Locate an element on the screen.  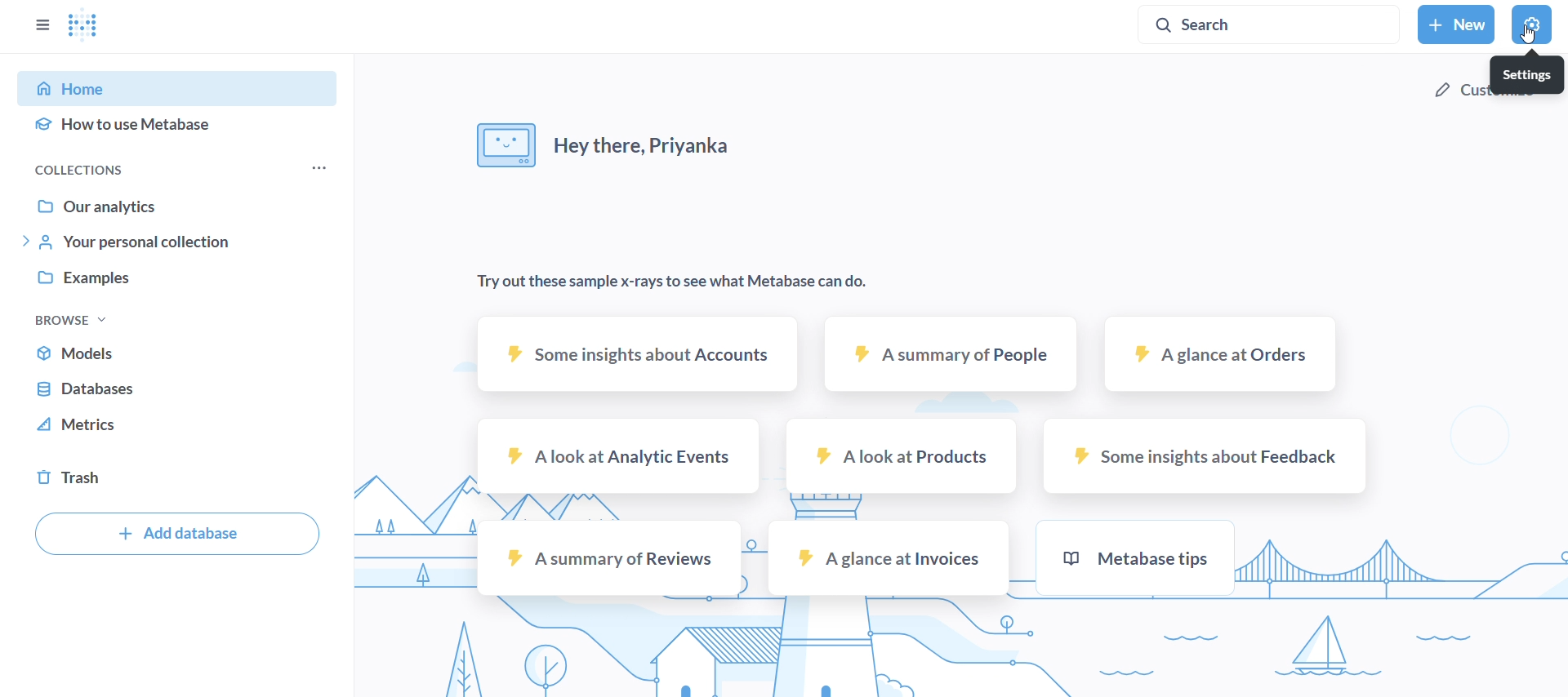
more is located at coordinates (317, 166).